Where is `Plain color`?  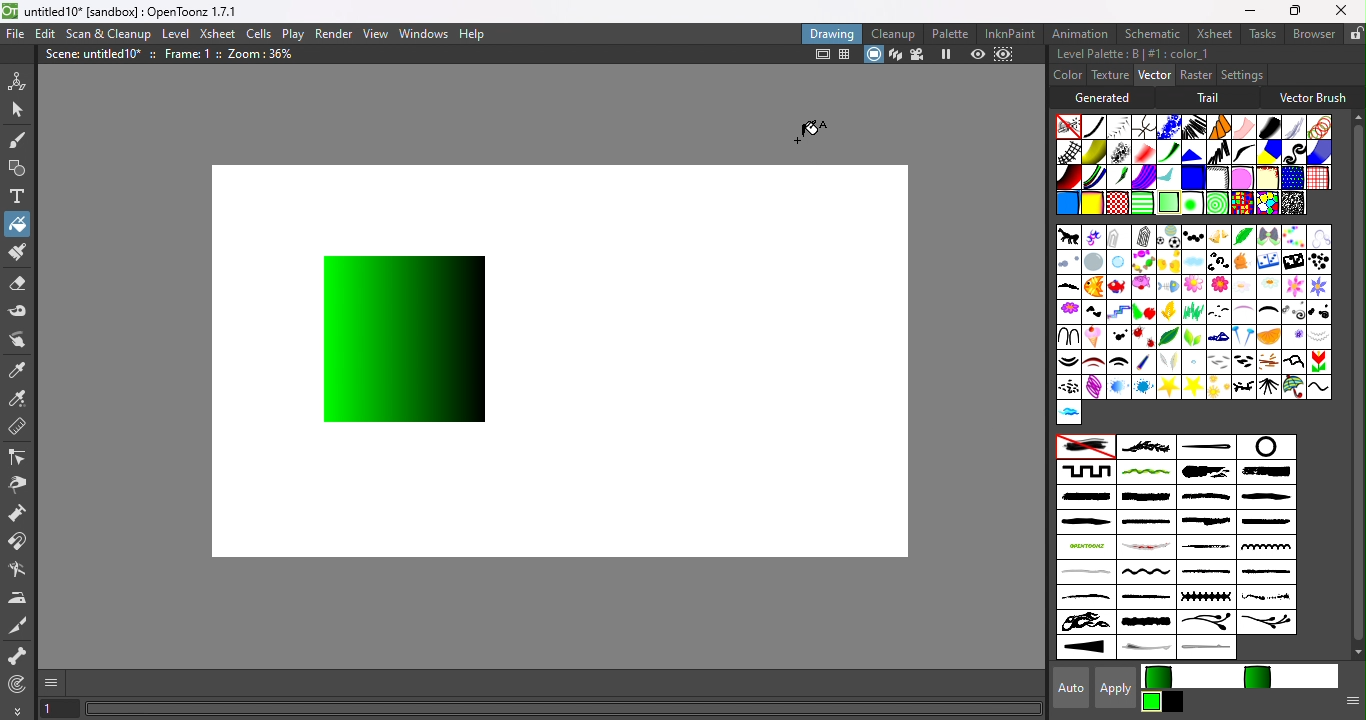 Plain color is located at coordinates (1069, 126).